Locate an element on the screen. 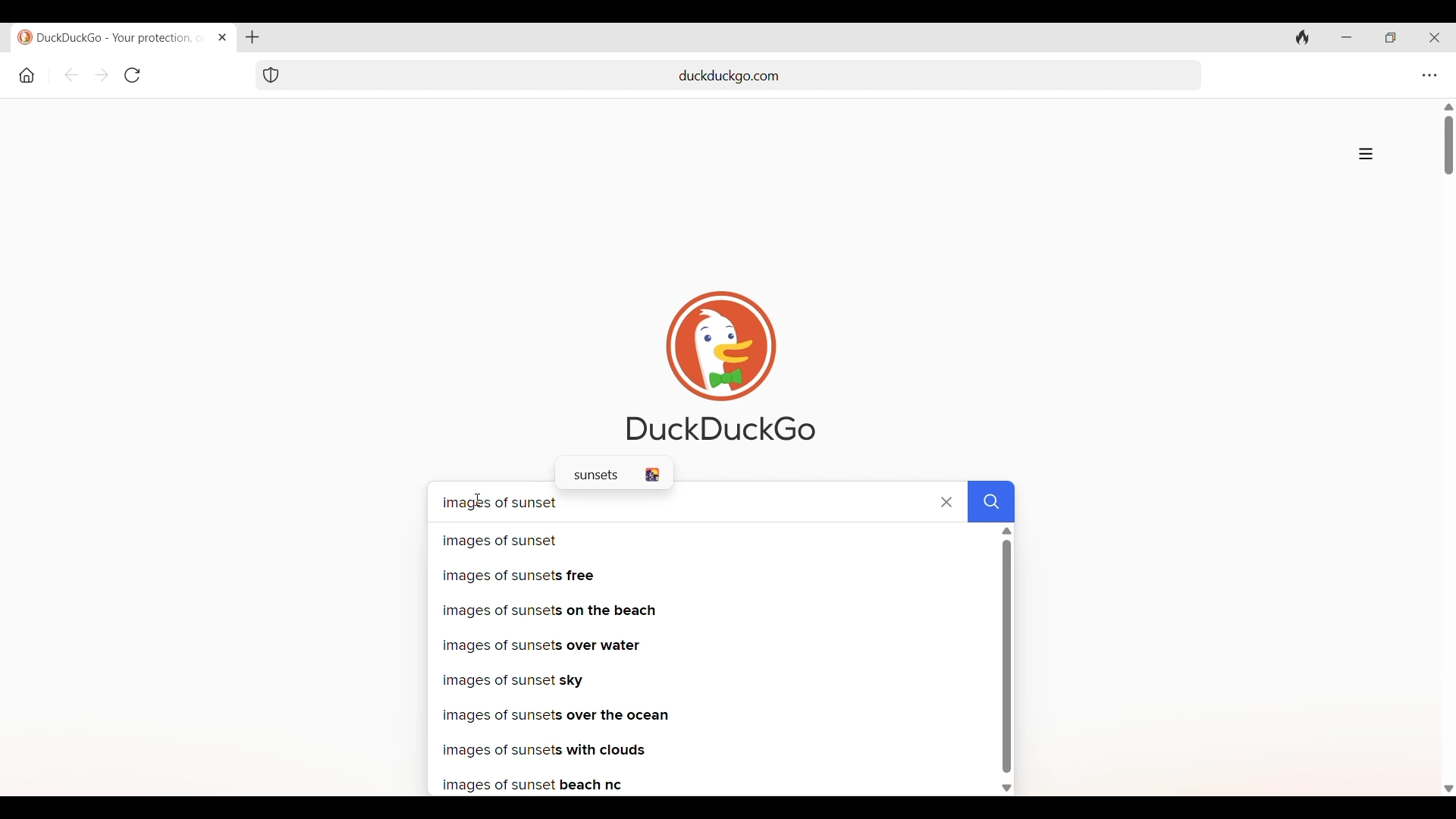  Close tab is located at coordinates (223, 37).